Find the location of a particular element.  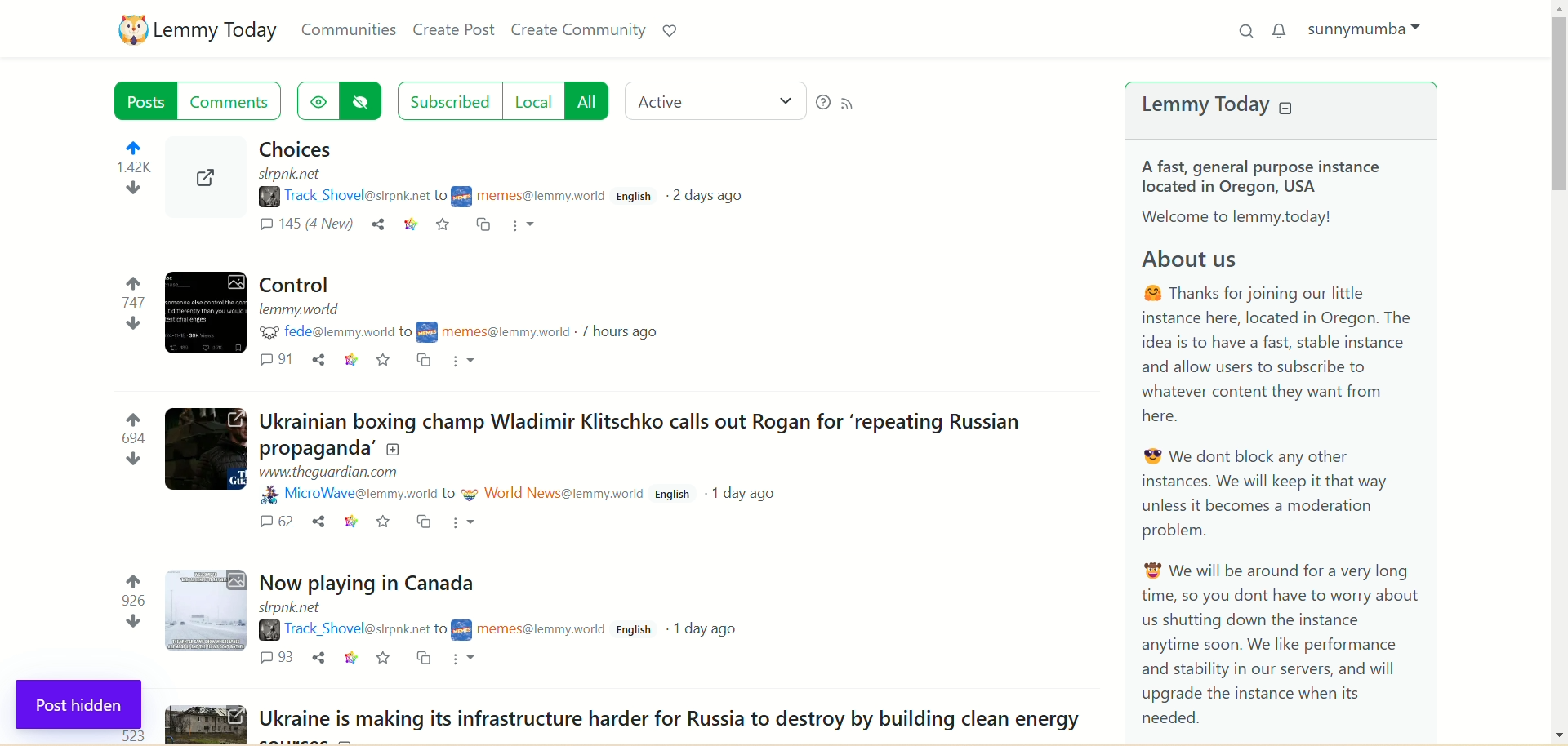

support lemmy is located at coordinates (670, 29).